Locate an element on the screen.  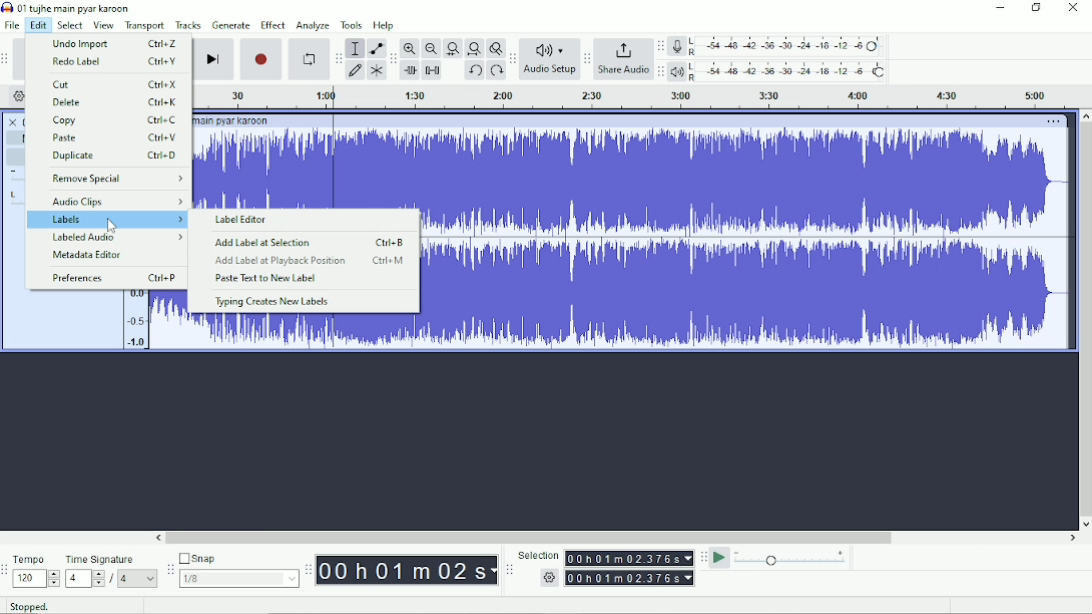
Time signature is located at coordinates (112, 569).